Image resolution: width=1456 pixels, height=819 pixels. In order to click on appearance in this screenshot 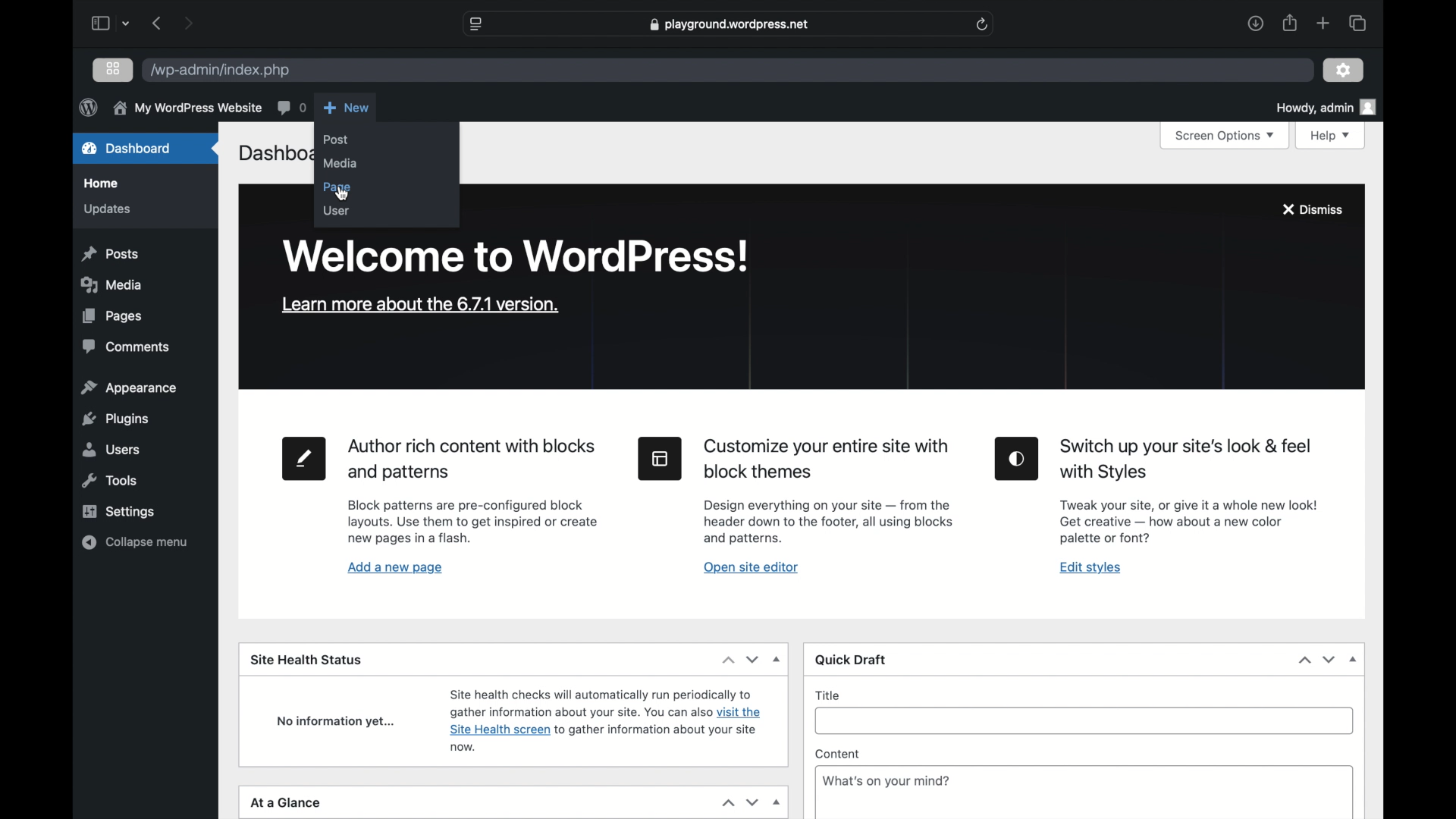, I will do `click(128, 387)`.